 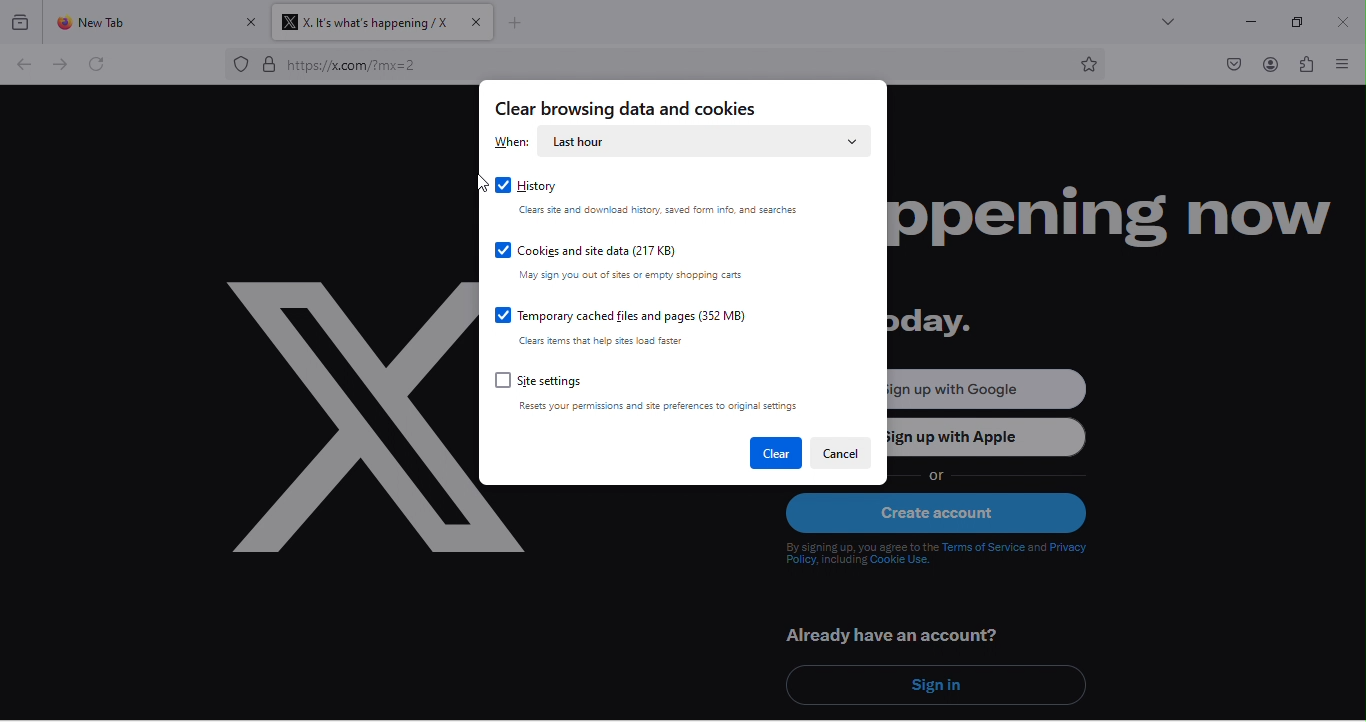 I want to click on last hour, so click(x=705, y=141).